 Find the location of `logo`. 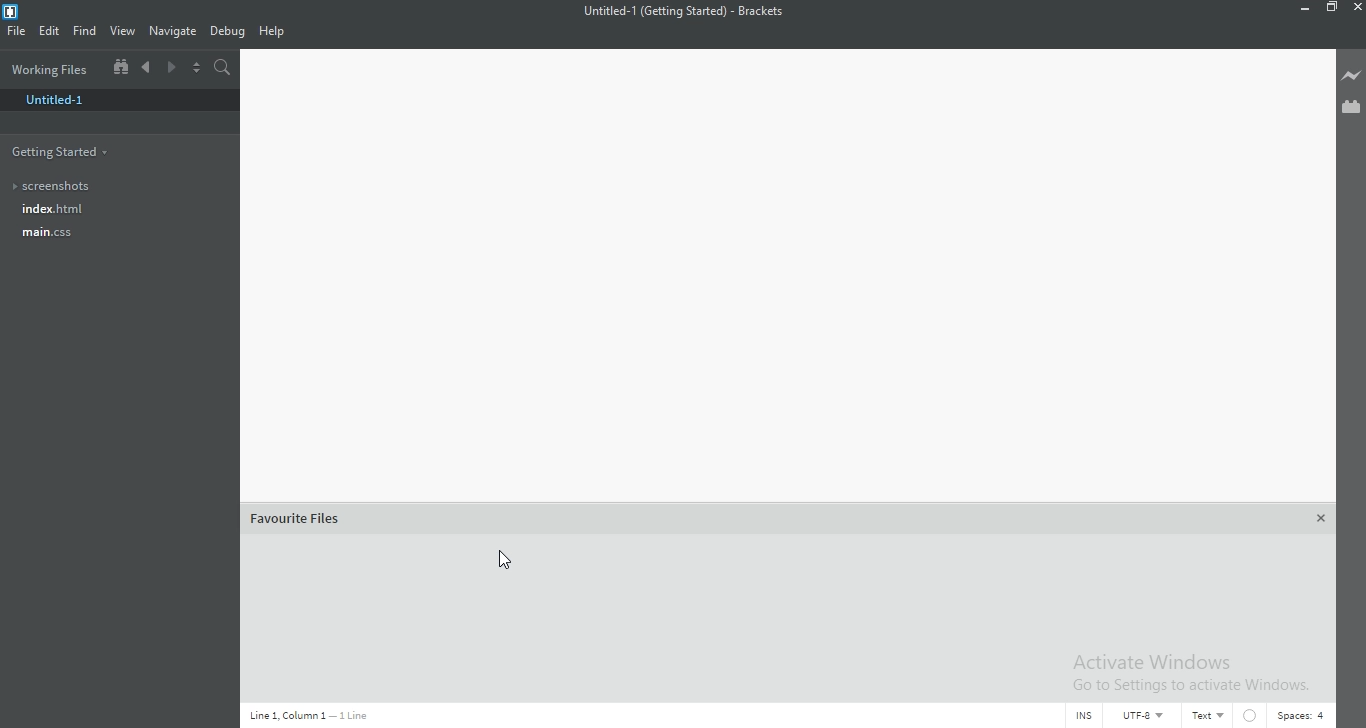

logo is located at coordinates (11, 11).